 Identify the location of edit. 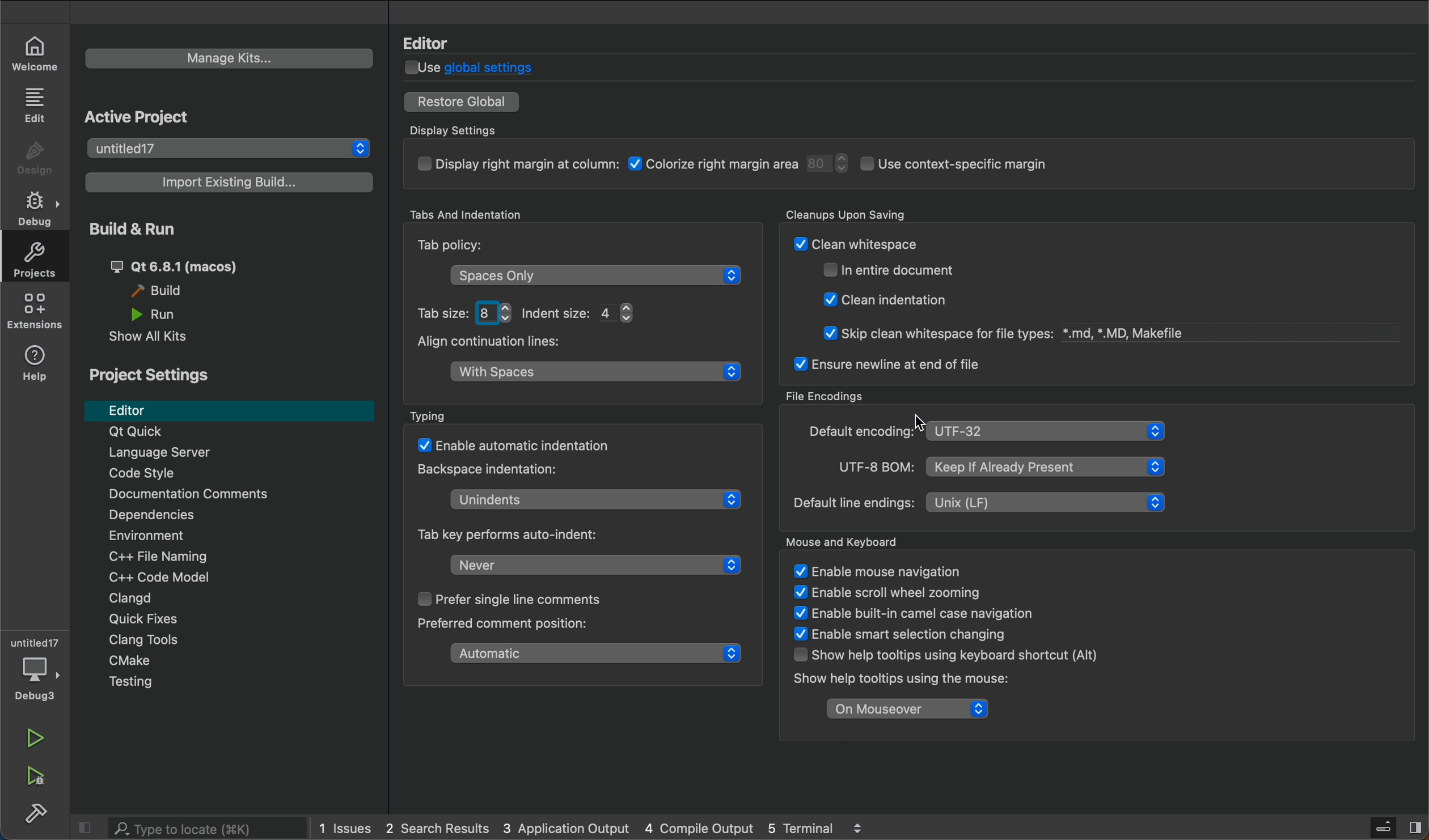
(36, 107).